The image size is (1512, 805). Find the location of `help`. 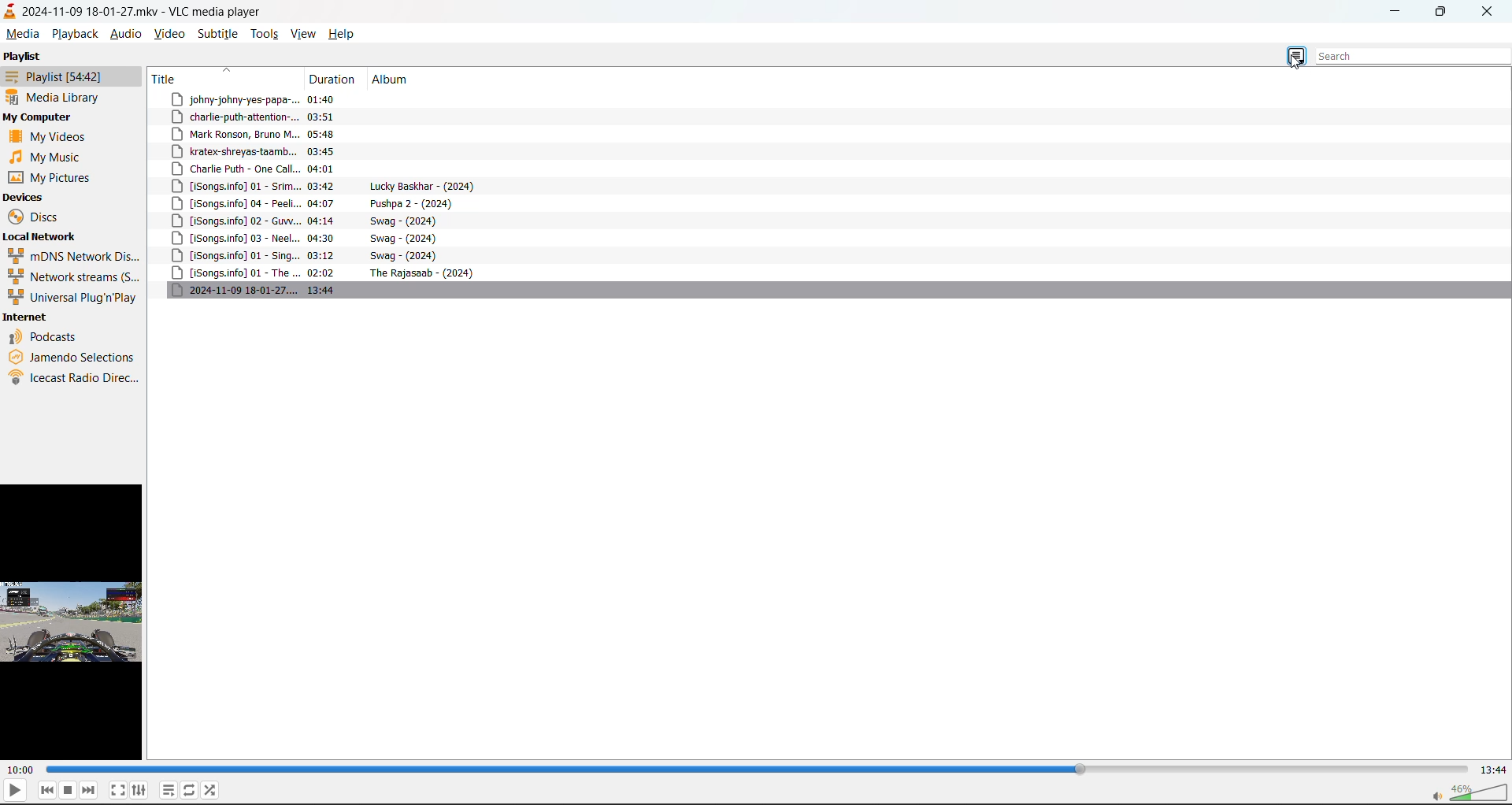

help is located at coordinates (343, 34).